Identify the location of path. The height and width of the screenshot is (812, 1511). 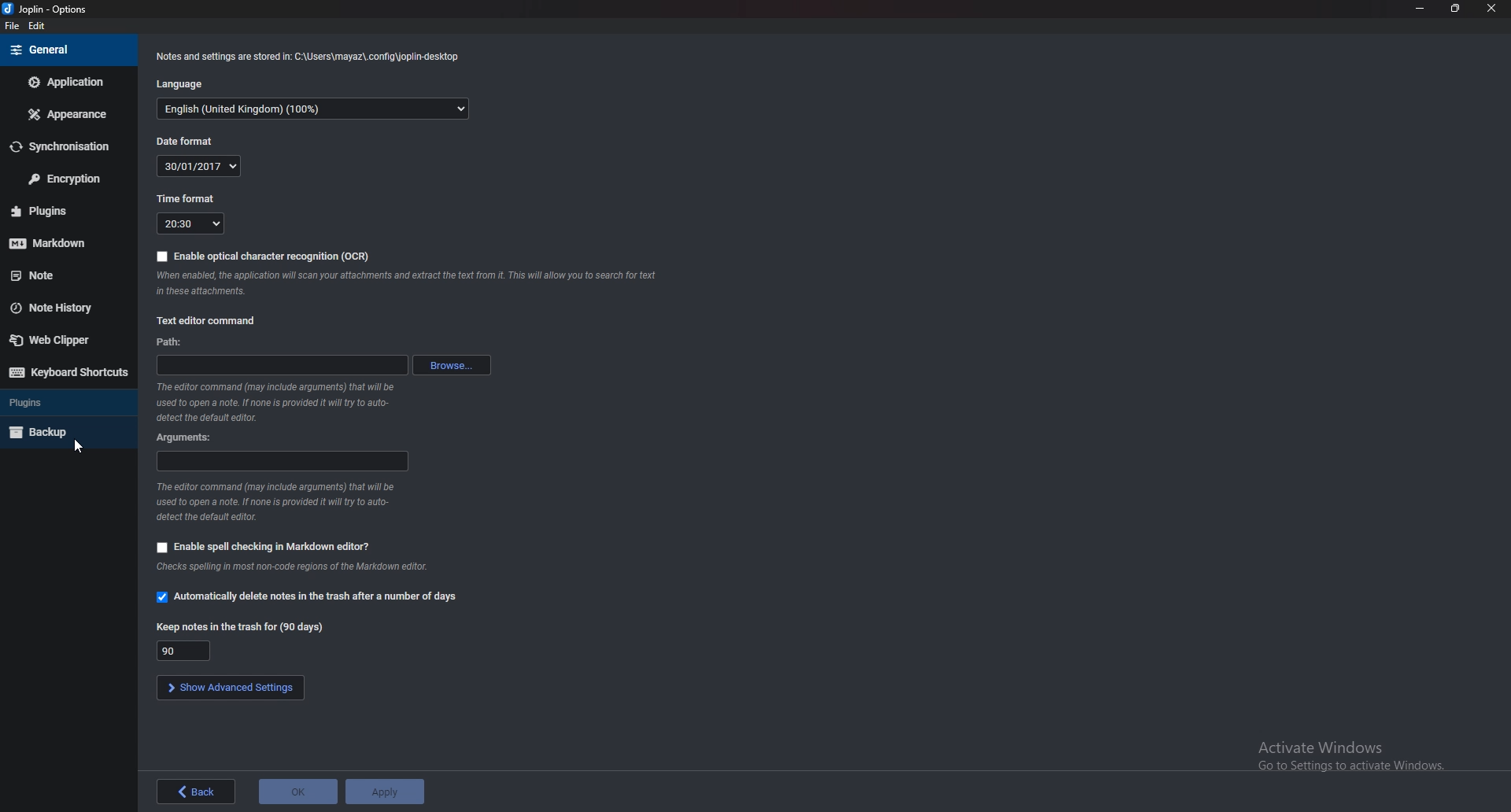
(175, 343).